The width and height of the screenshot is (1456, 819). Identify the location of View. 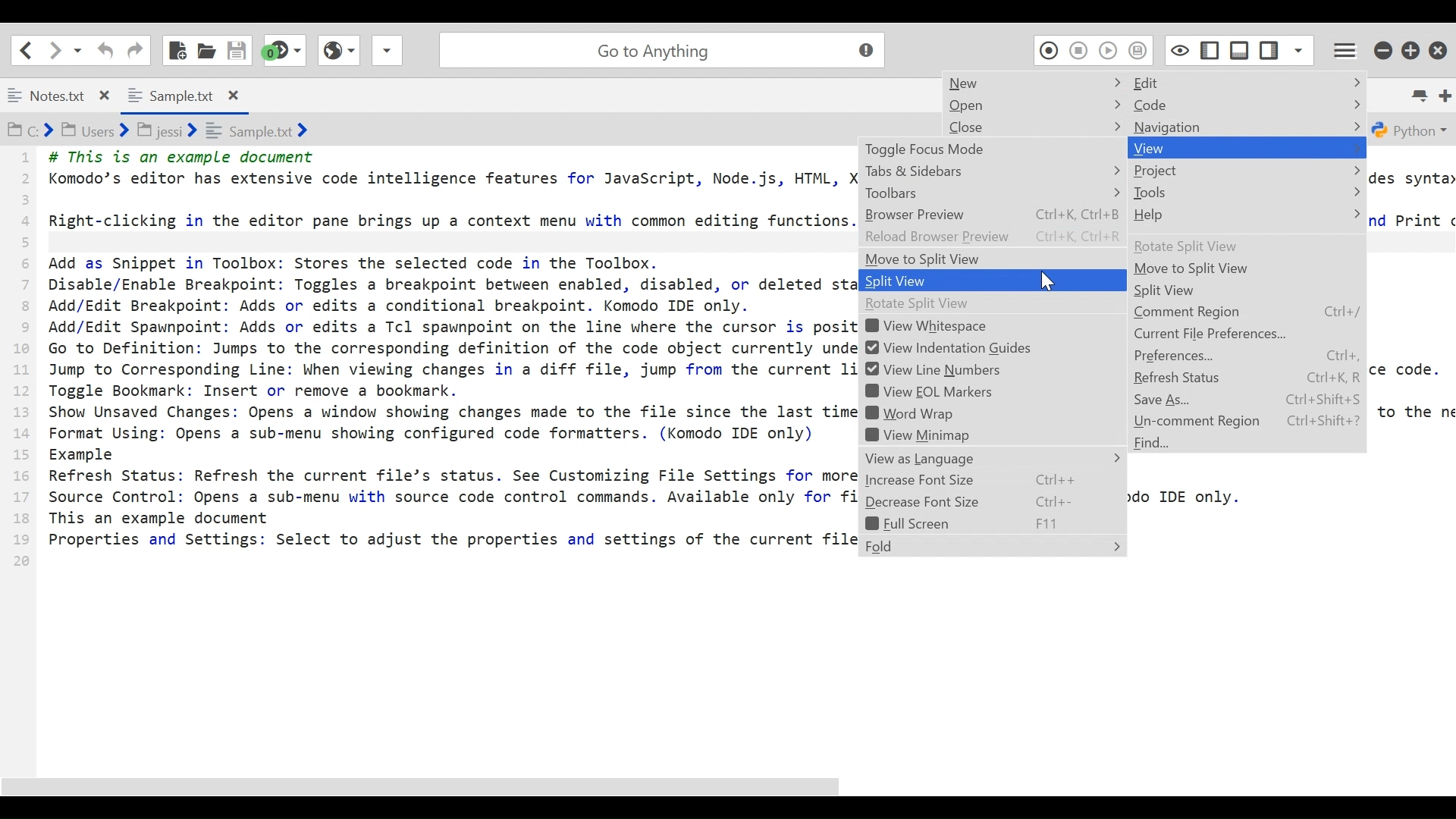
(1245, 148).